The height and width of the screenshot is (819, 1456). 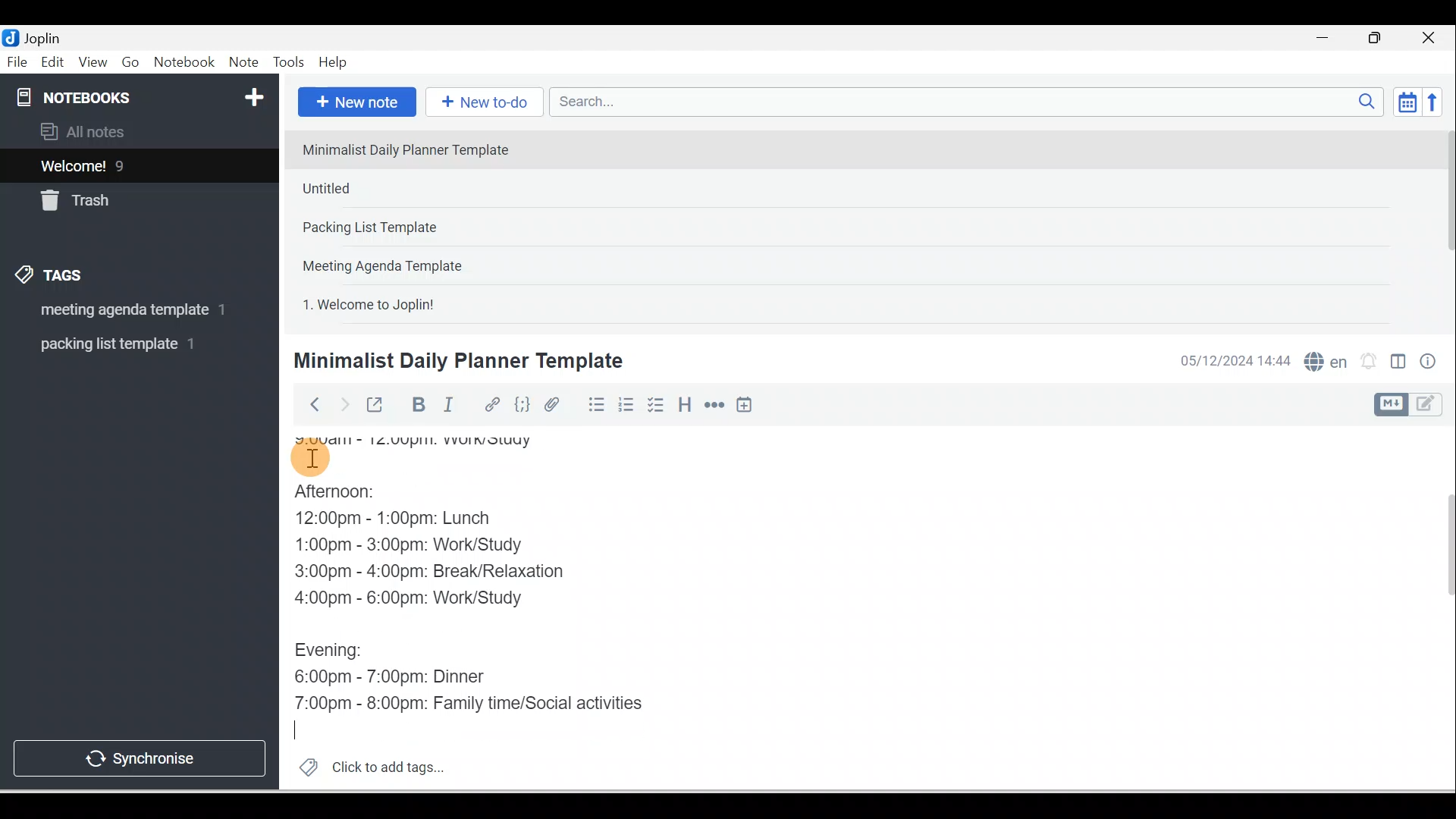 What do you see at coordinates (308, 404) in the screenshot?
I see `Back` at bounding box center [308, 404].